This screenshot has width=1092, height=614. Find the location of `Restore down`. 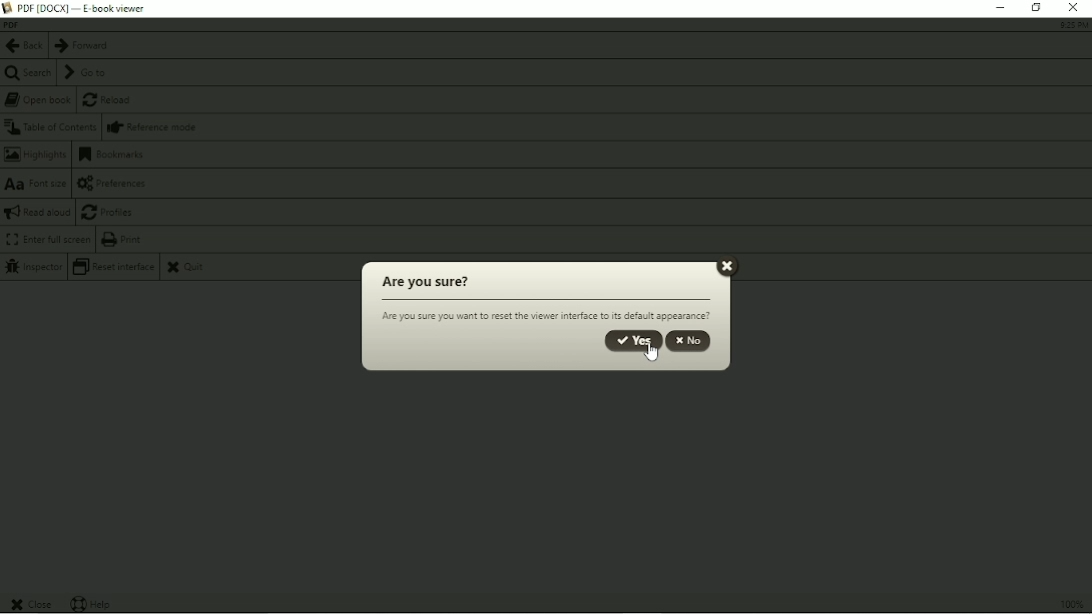

Restore down is located at coordinates (1037, 8).